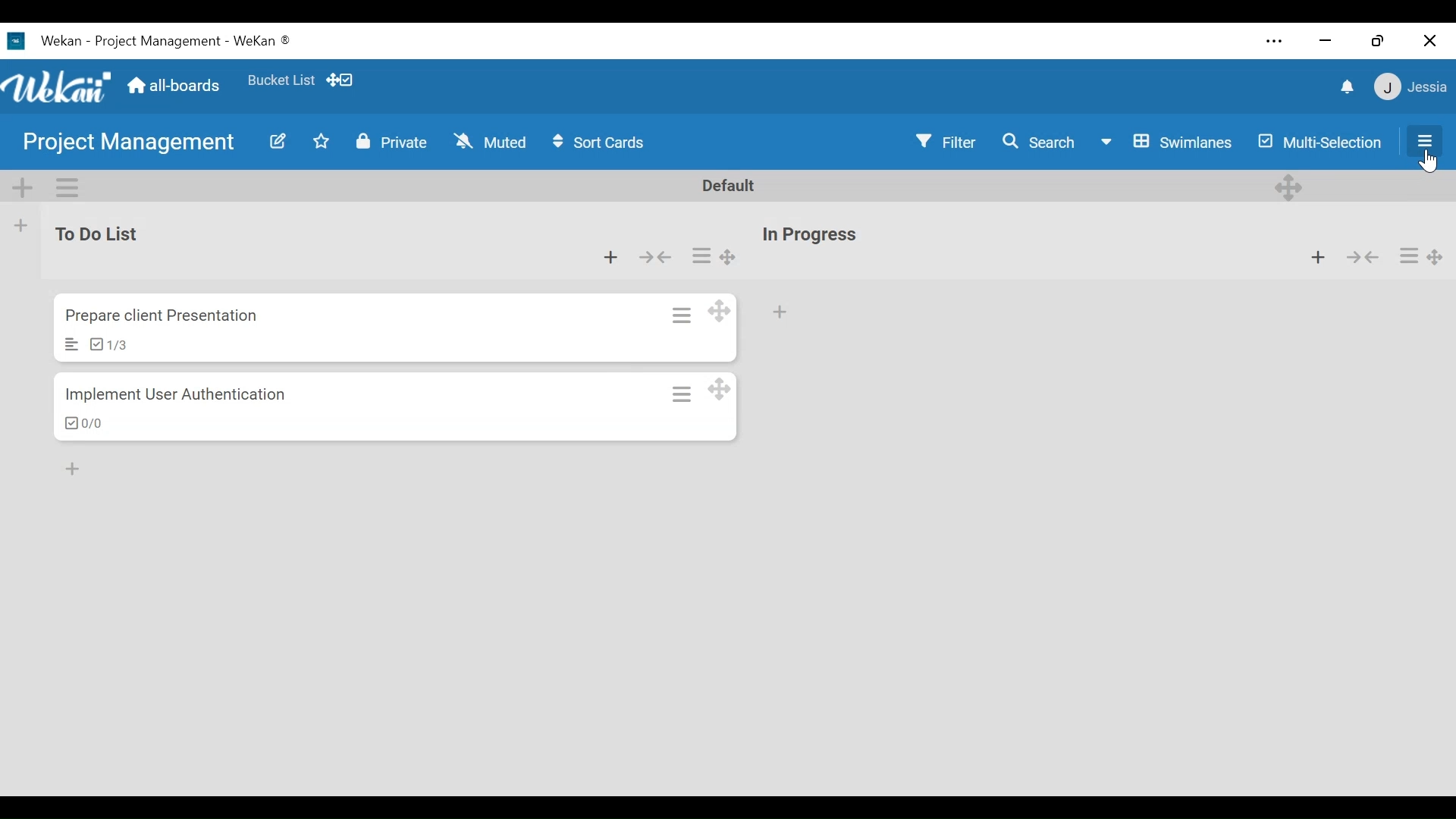  Describe the element at coordinates (1316, 258) in the screenshot. I see `Add card to top of the list` at that location.